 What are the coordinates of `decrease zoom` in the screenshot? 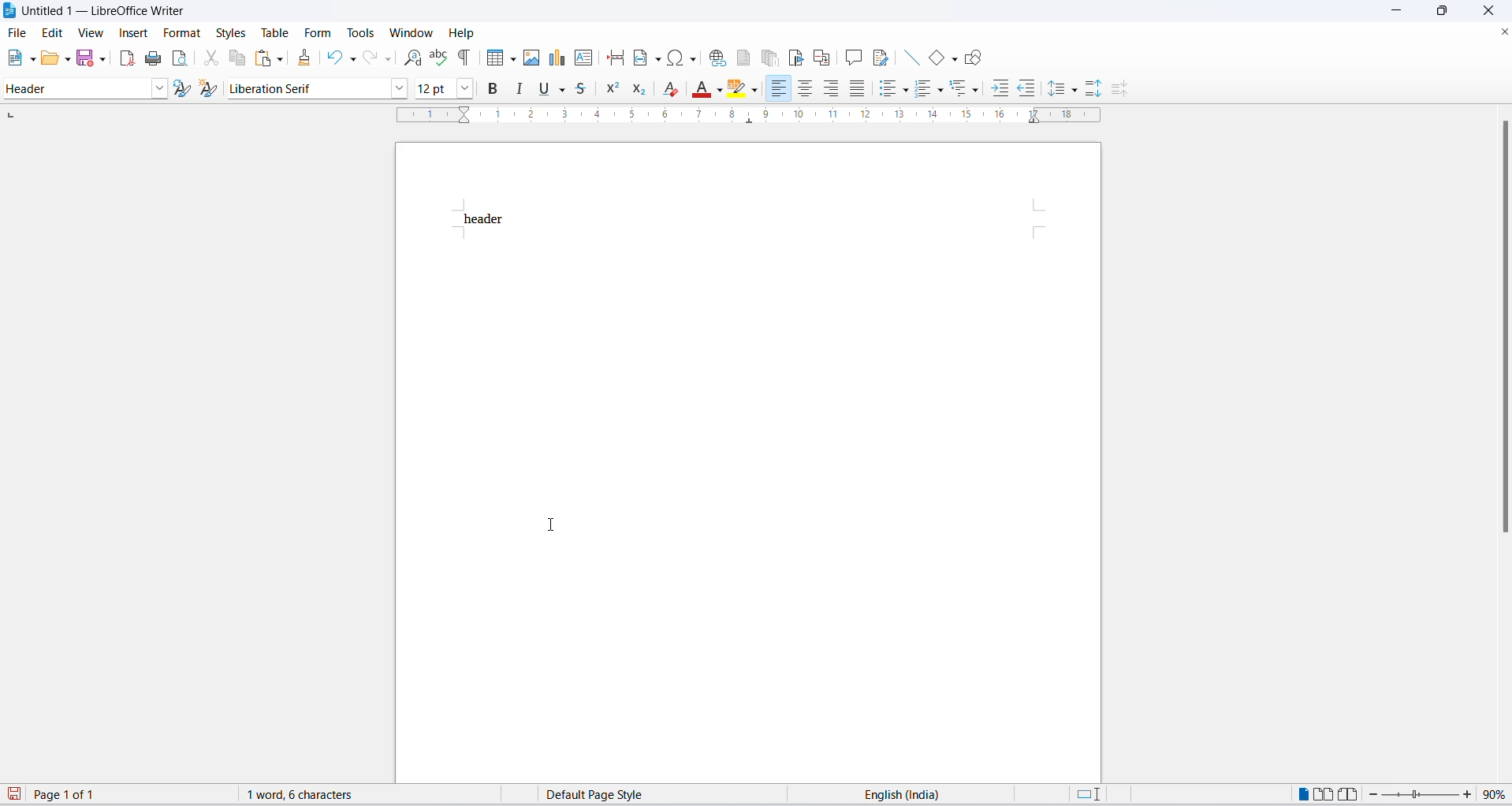 It's located at (1371, 795).